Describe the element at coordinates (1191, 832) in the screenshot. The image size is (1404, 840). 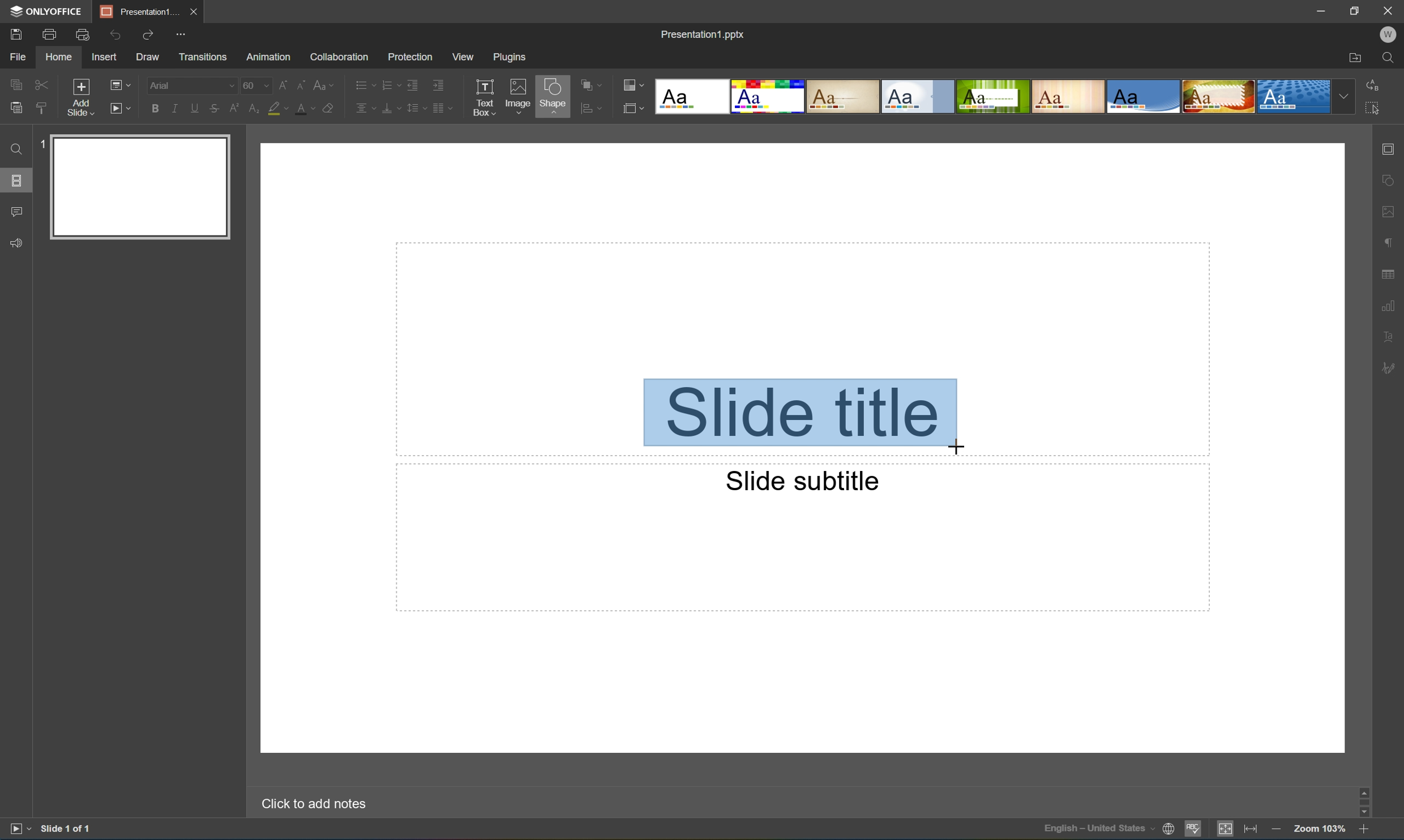
I see `Spell checking` at that location.